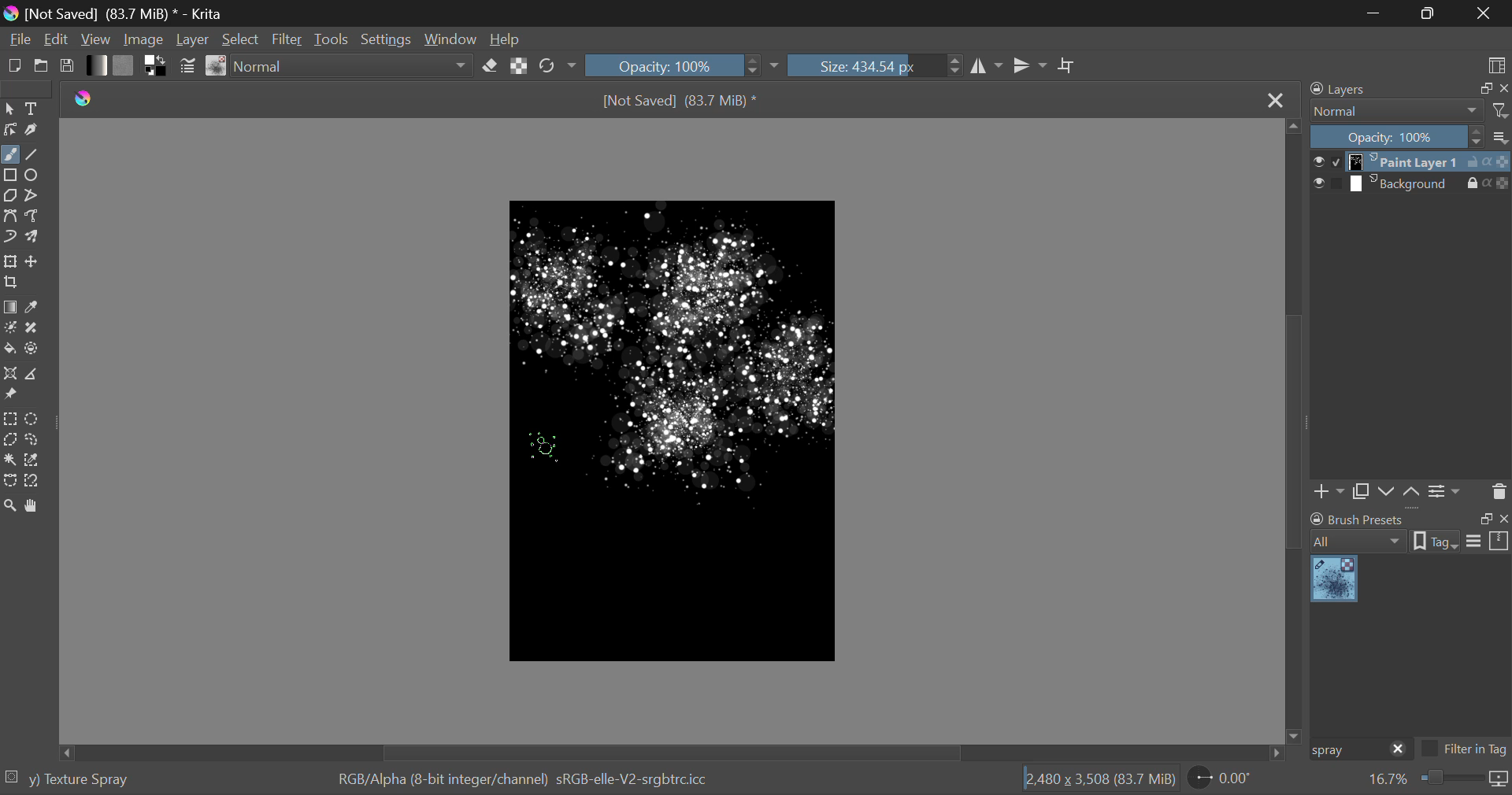 This screenshot has height=795, width=1512. I want to click on Zoom, so click(11, 508).